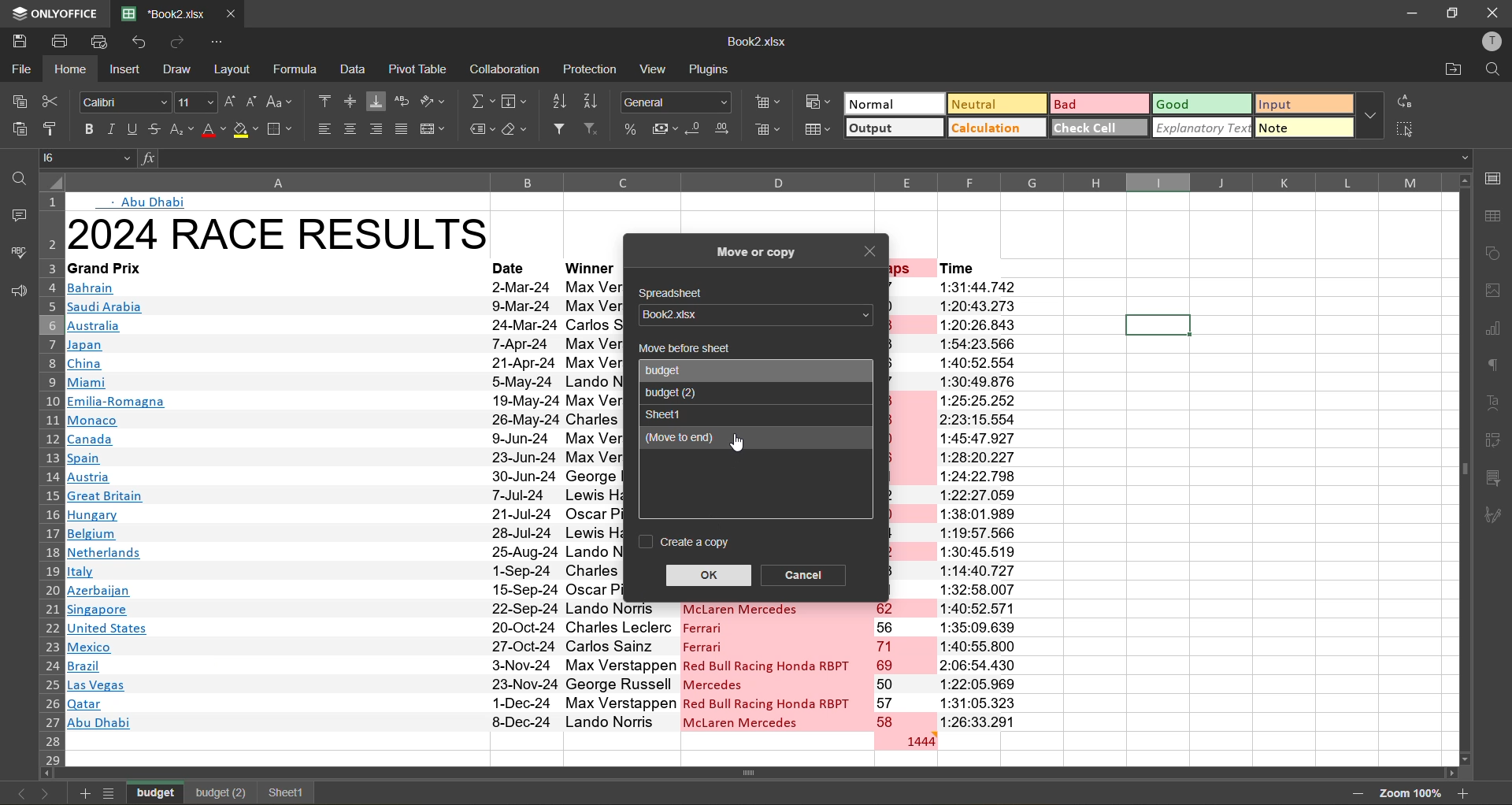 The image size is (1512, 805). What do you see at coordinates (124, 71) in the screenshot?
I see `insert` at bounding box center [124, 71].